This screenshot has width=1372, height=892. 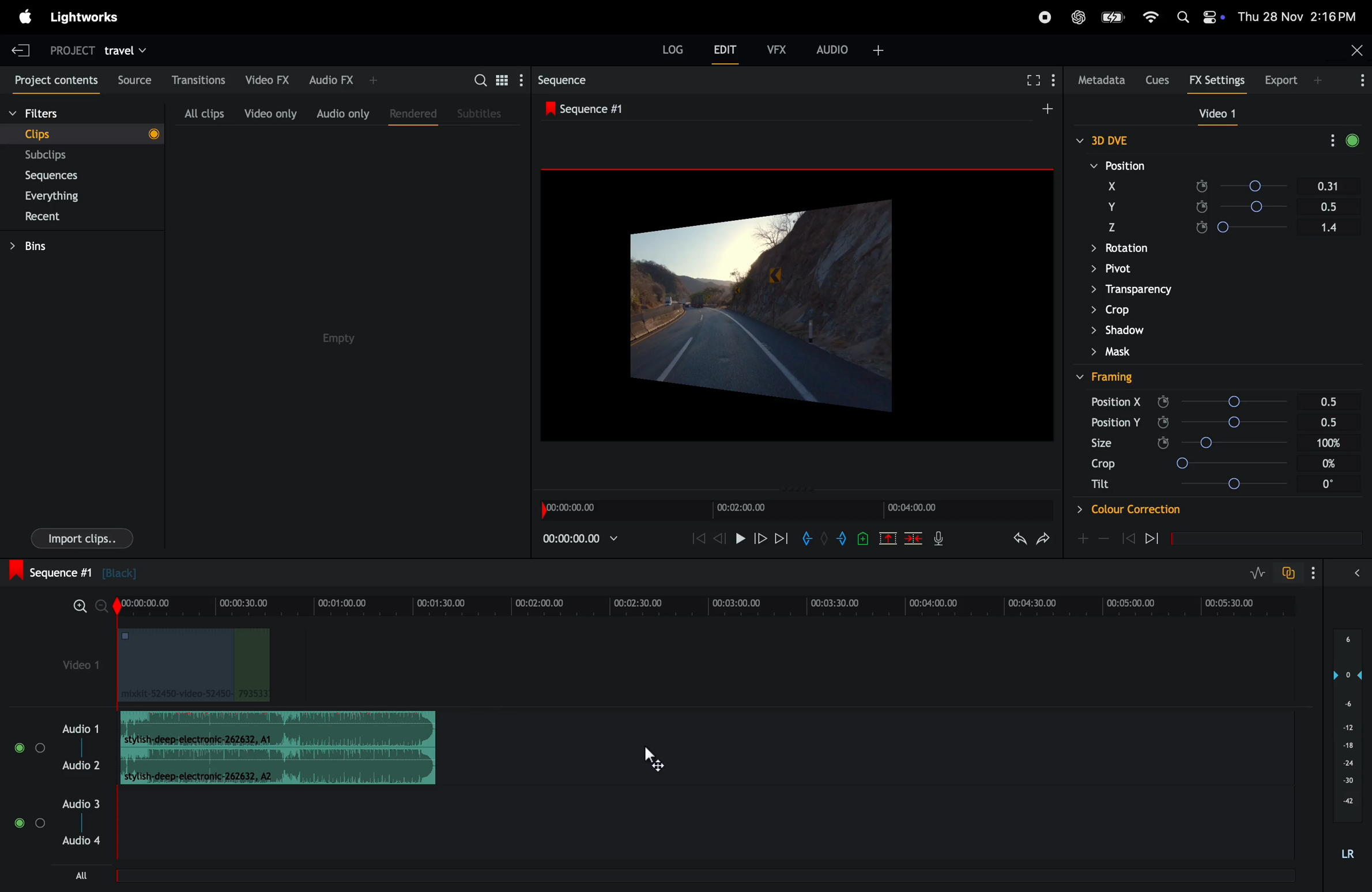 I want to click on undo, so click(x=1043, y=542).